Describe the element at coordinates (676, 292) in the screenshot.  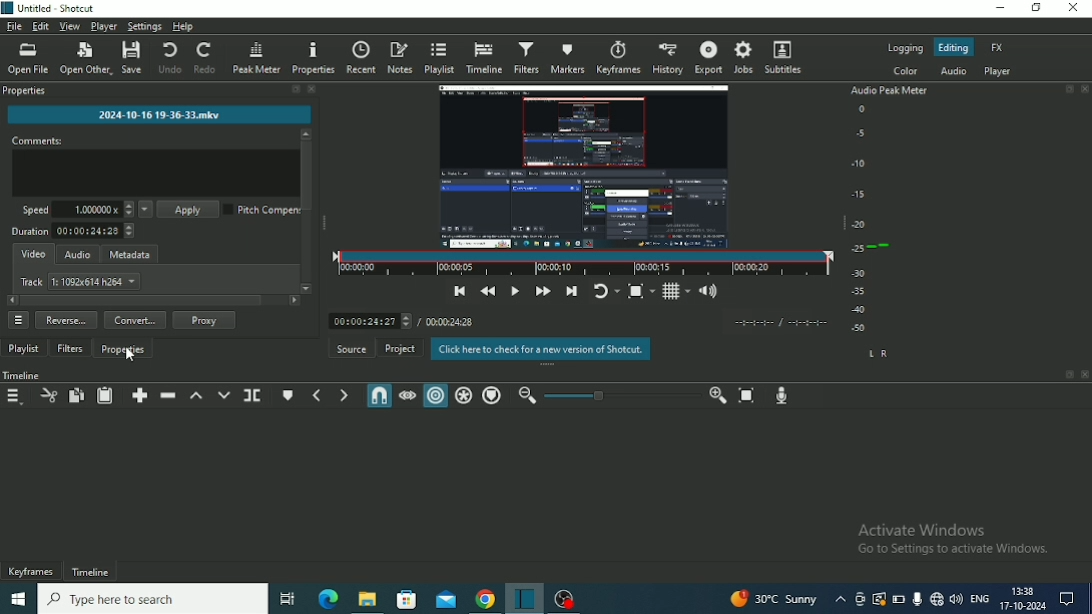
I see `Toggle grid display on the player` at that location.